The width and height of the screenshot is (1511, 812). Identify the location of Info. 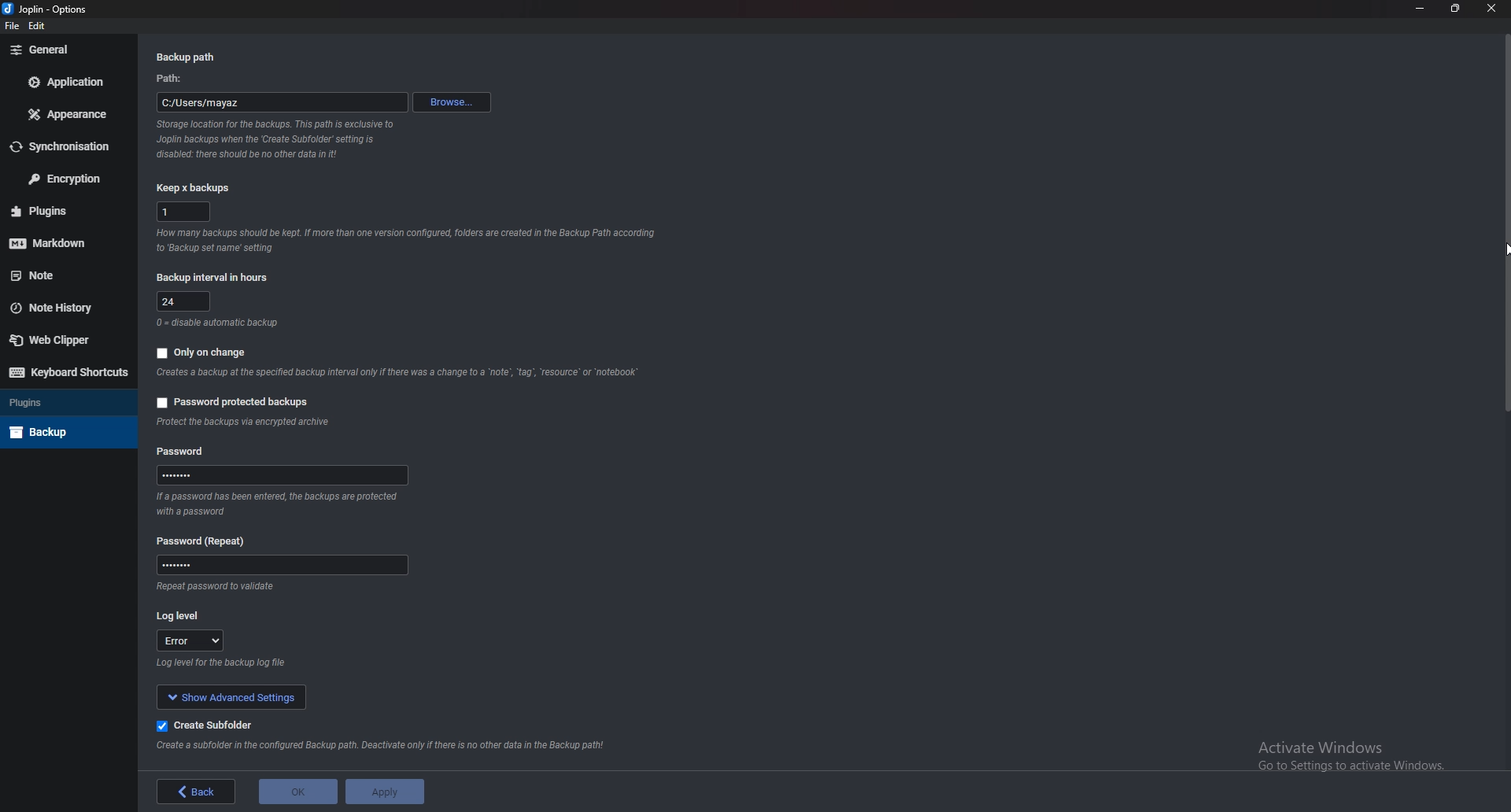
(275, 502).